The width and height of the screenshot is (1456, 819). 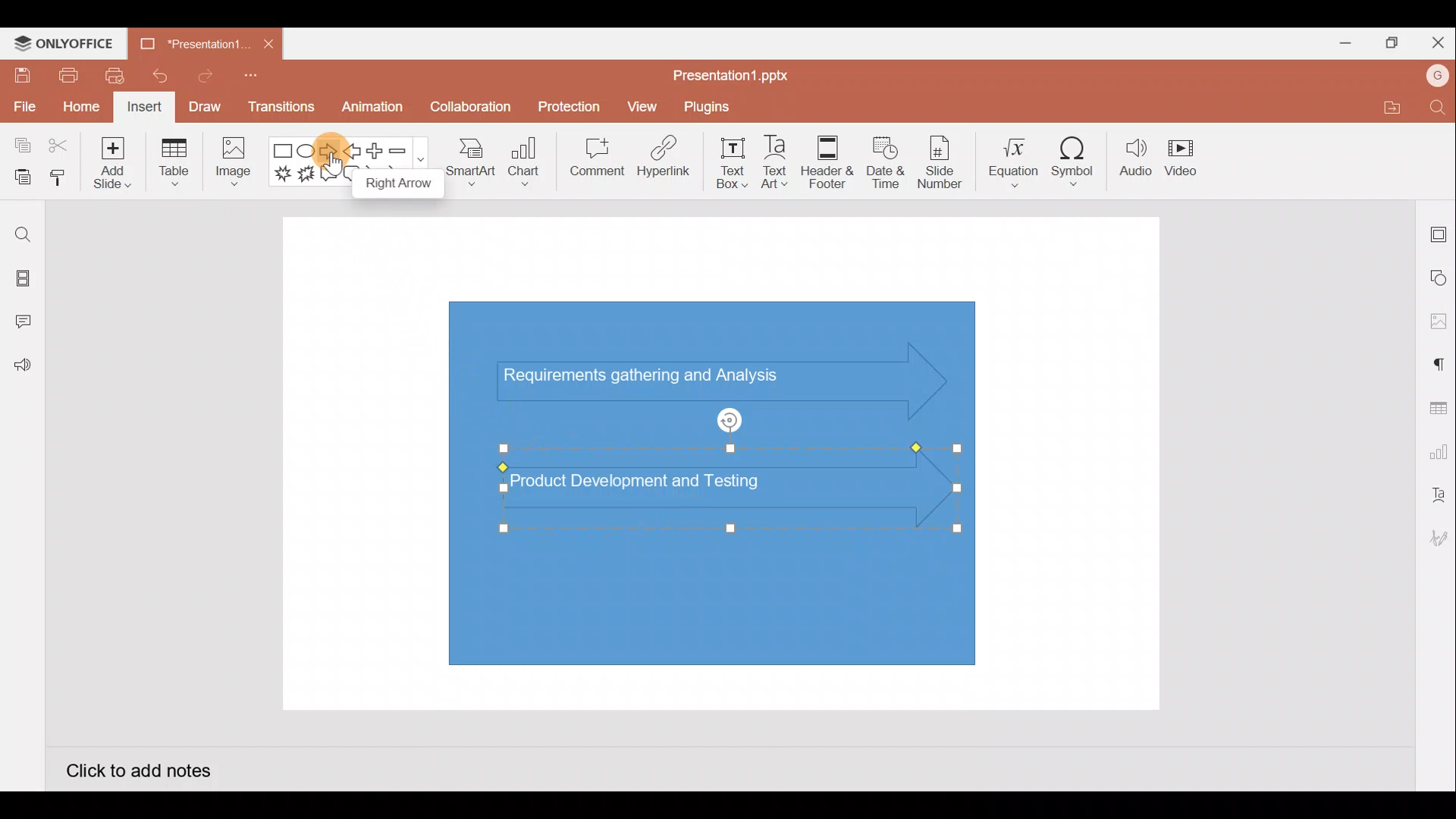 I want to click on Explosion 2, so click(x=306, y=175).